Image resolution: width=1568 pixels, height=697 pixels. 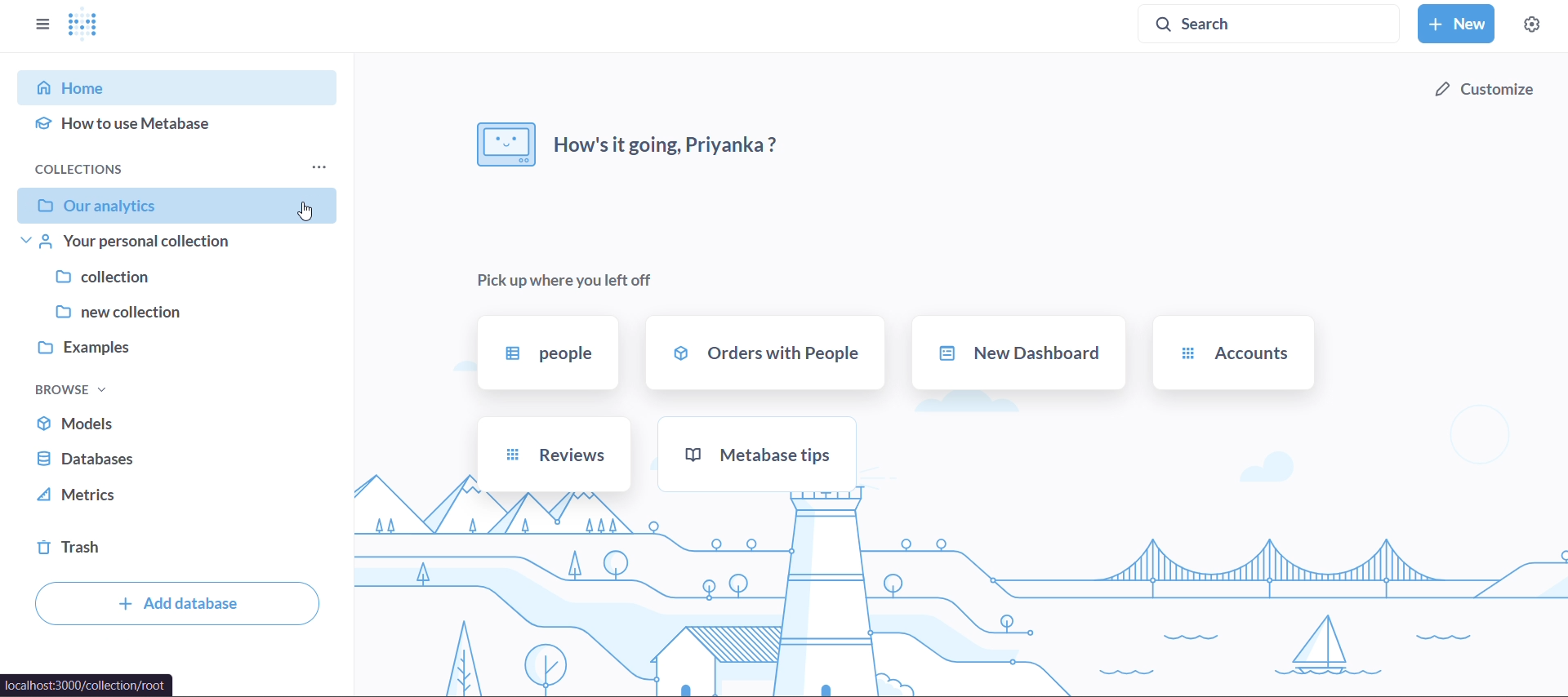 What do you see at coordinates (178, 604) in the screenshot?
I see `add database` at bounding box center [178, 604].